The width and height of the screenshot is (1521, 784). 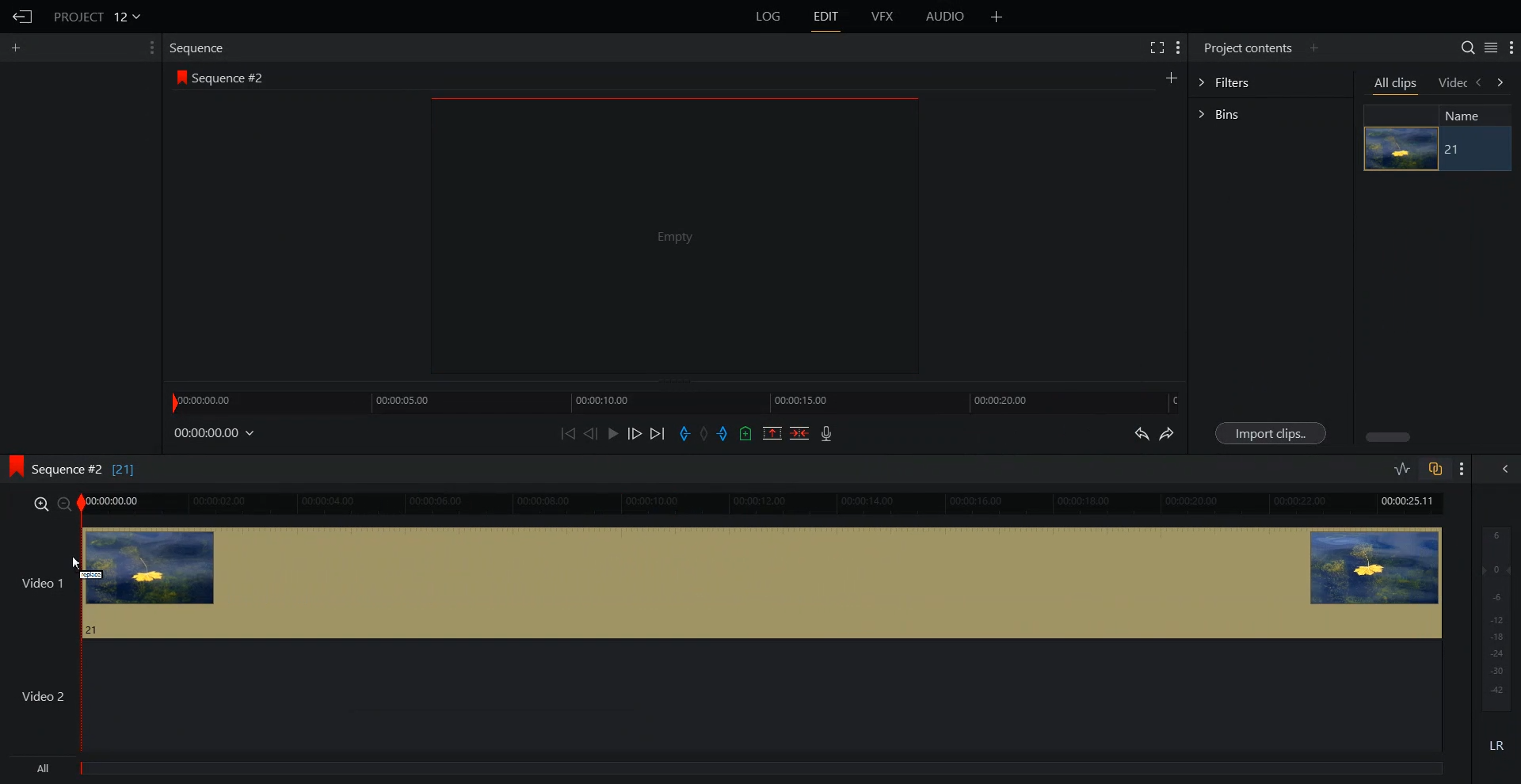 I want to click on Video, so click(x=1453, y=84).